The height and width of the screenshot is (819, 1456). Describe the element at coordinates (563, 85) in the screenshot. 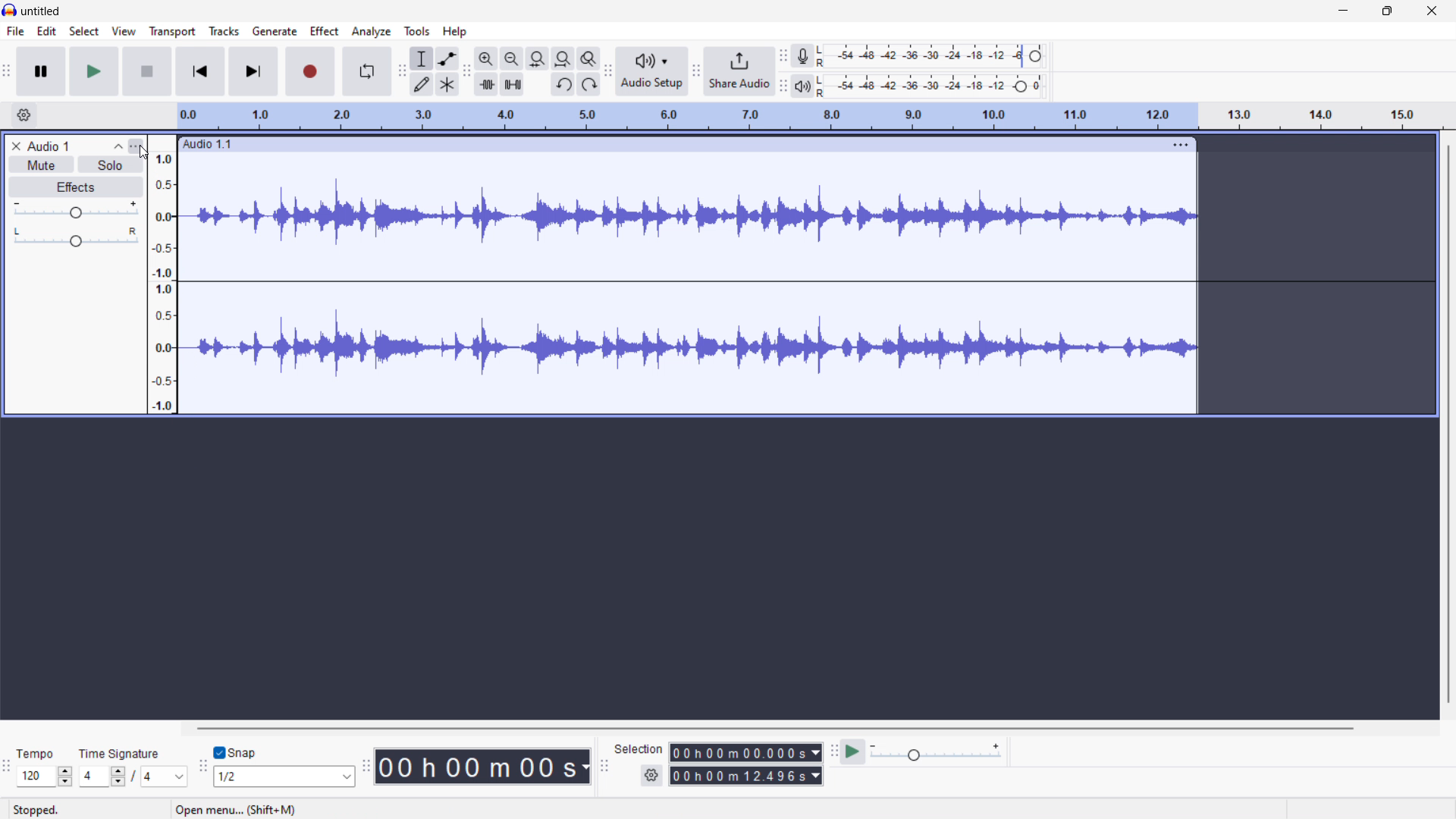

I see `undo` at that location.